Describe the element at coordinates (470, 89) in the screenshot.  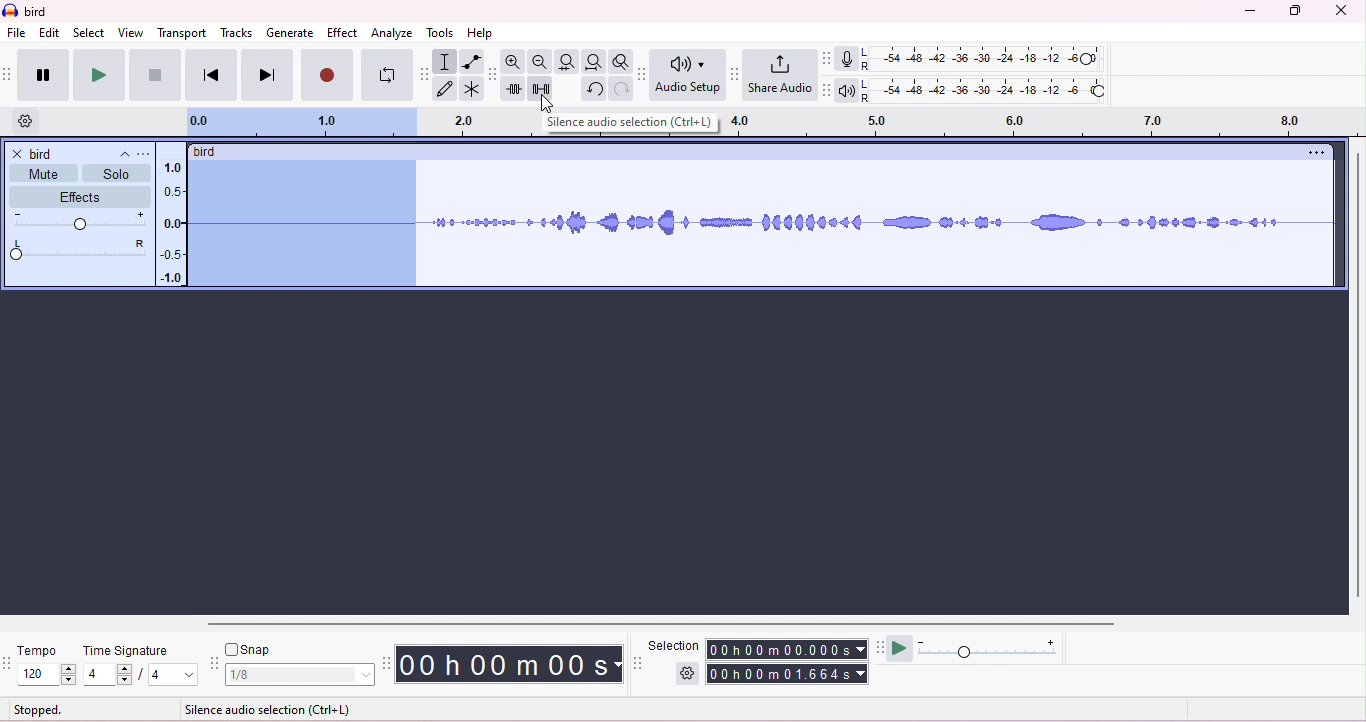
I see `multi ` at that location.